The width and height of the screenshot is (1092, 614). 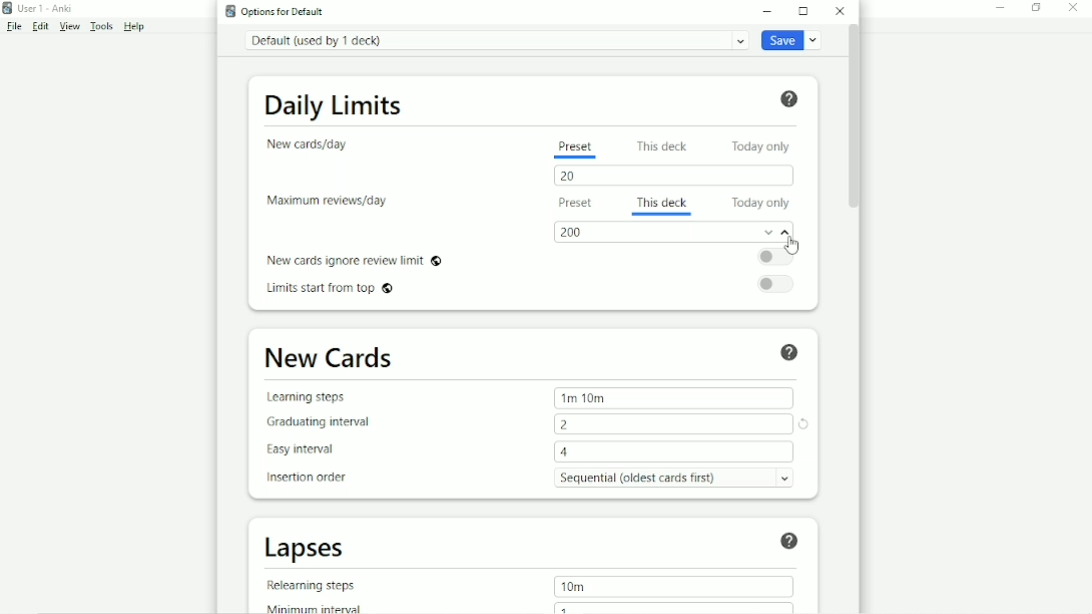 What do you see at coordinates (794, 41) in the screenshot?
I see `Save` at bounding box center [794, 41].